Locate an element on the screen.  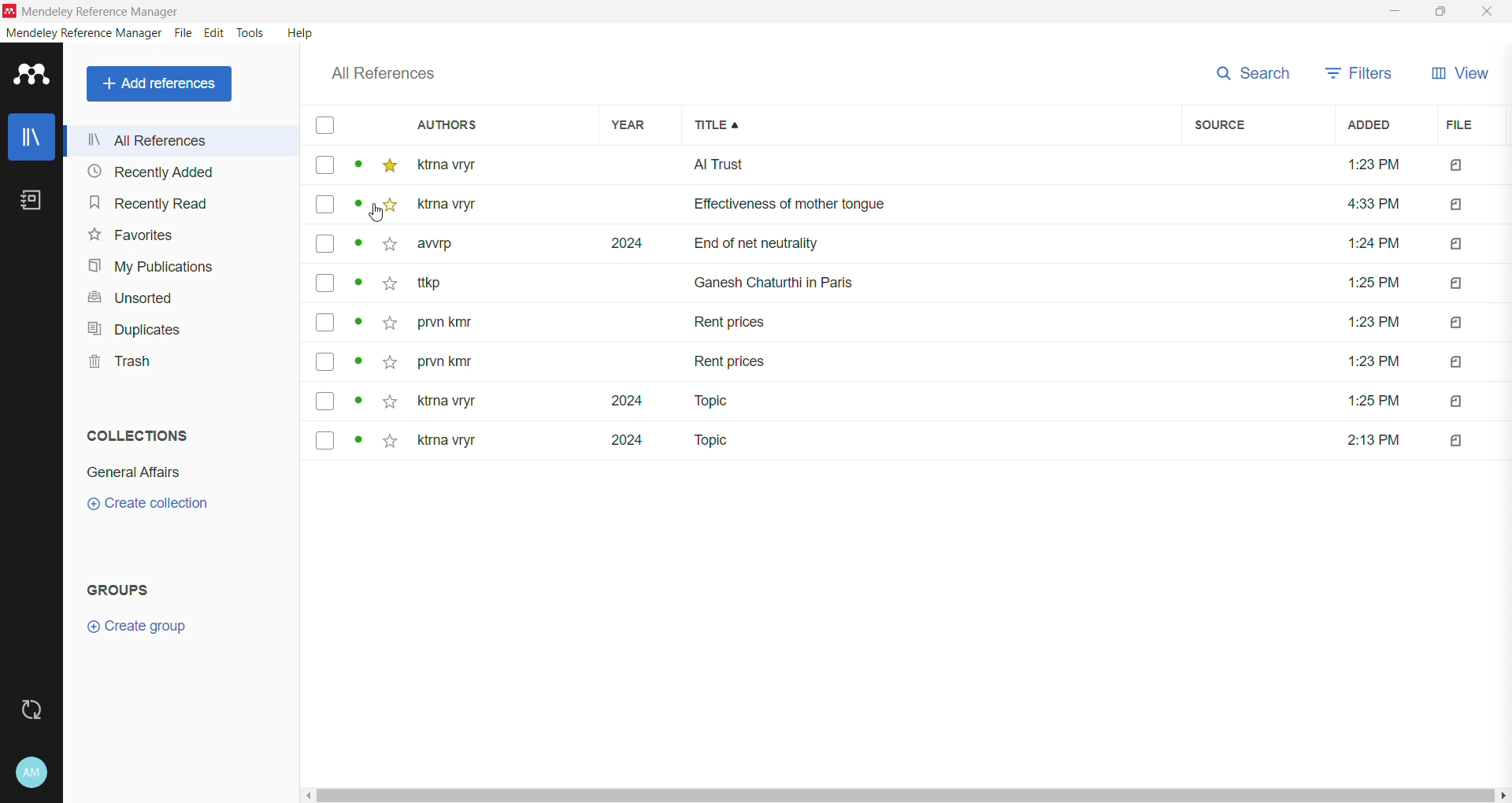
awrp is located at coordinates (441, 248).